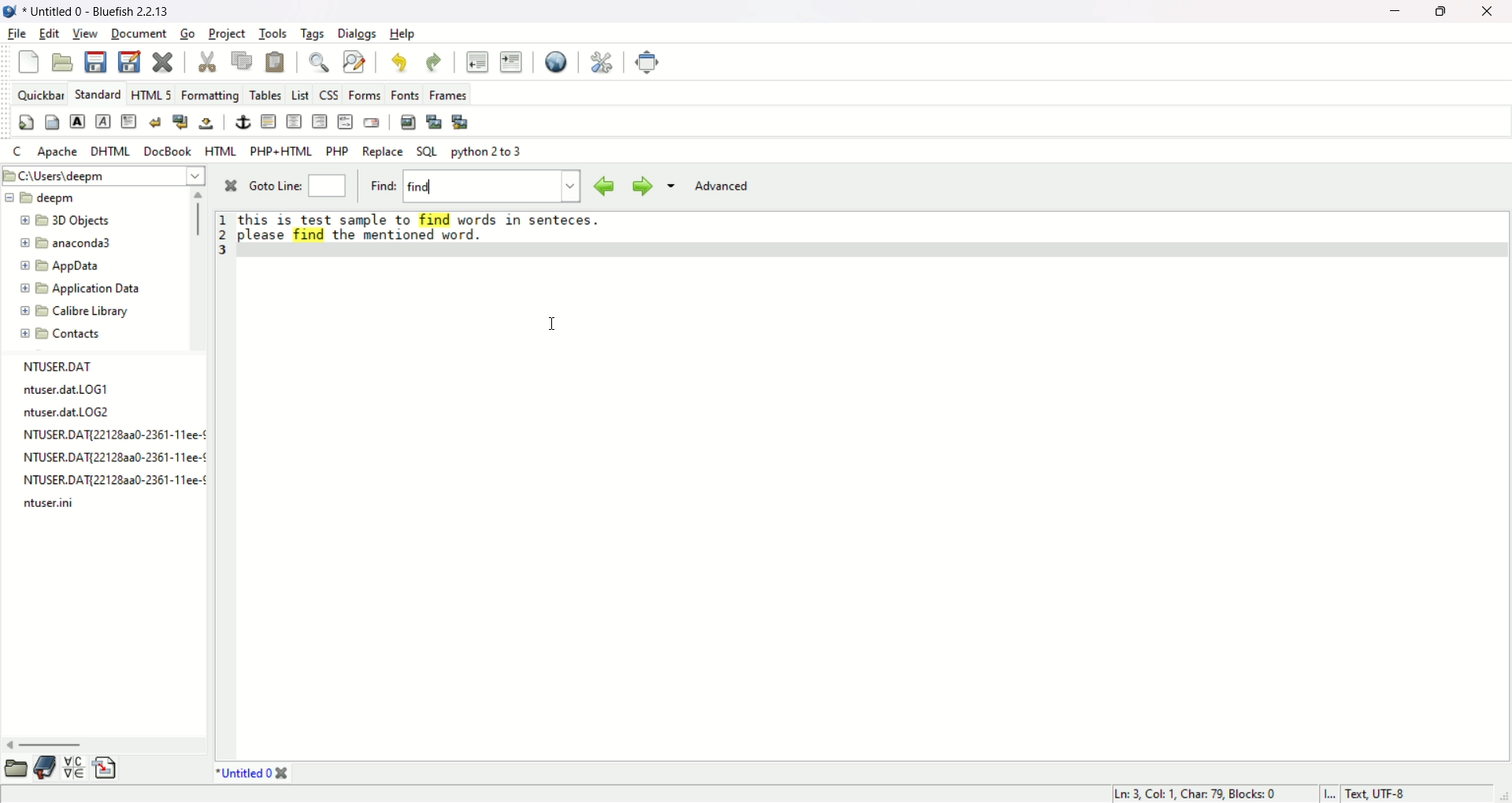 The image size is (1512, 803). What do you see at coordinates (28, 121) in the screenshot?
I see `quickstart` at bounding box center [28, 121].